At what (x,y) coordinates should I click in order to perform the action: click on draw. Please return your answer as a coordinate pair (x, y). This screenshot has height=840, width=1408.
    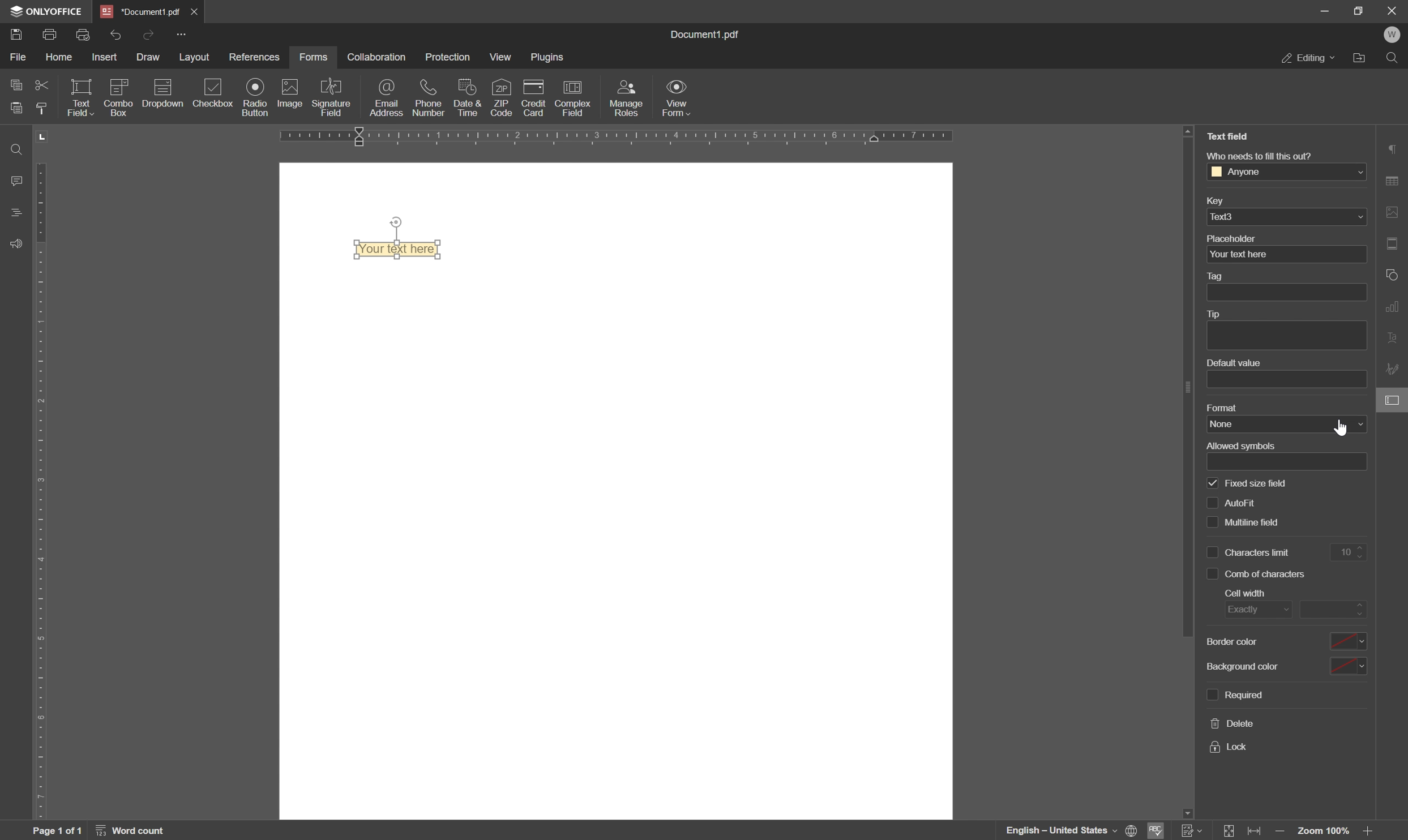
    Looking at the image, I should click on (149, 59).